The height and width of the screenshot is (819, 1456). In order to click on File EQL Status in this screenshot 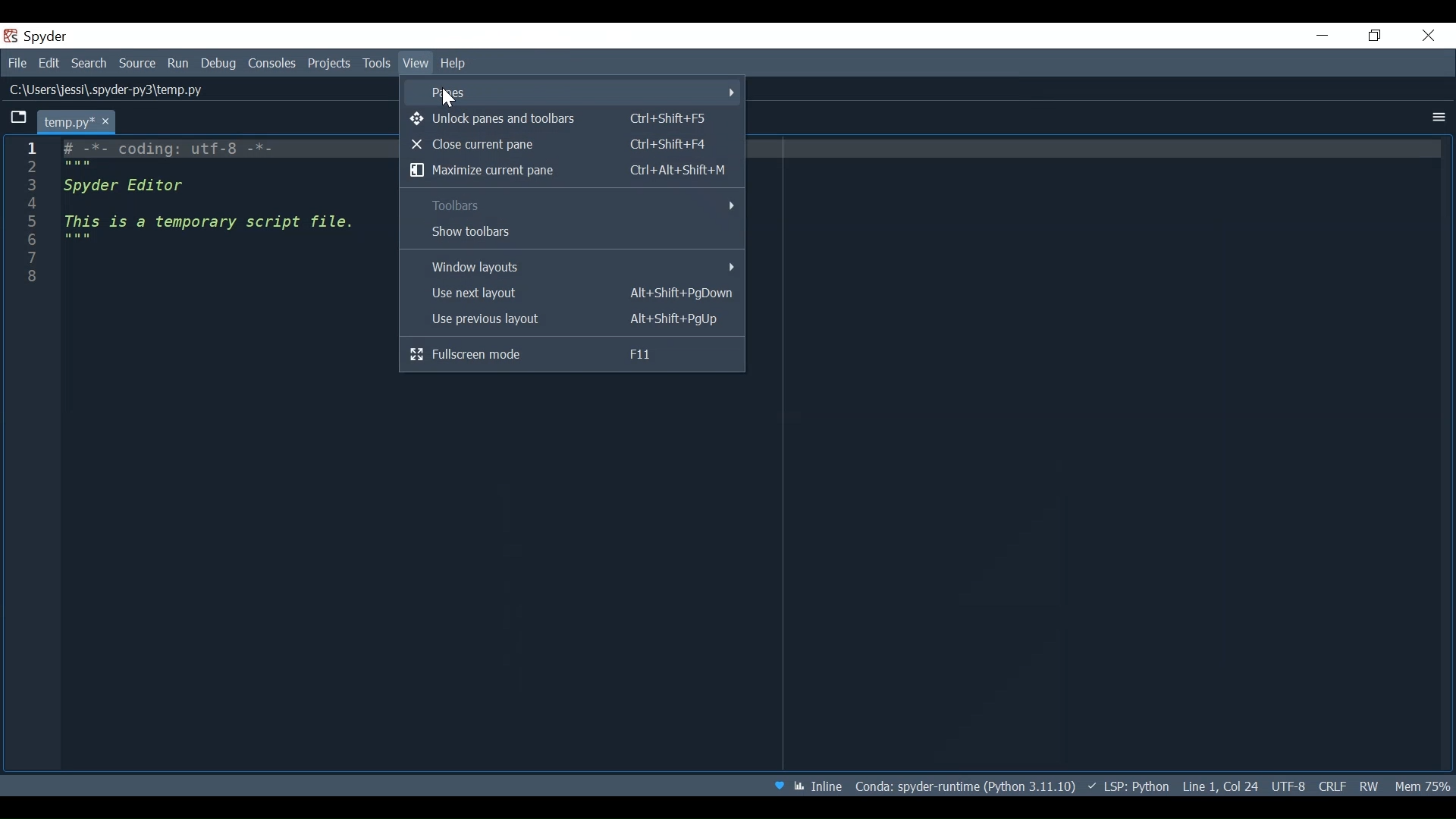, I will do `click(1327, 786)`.